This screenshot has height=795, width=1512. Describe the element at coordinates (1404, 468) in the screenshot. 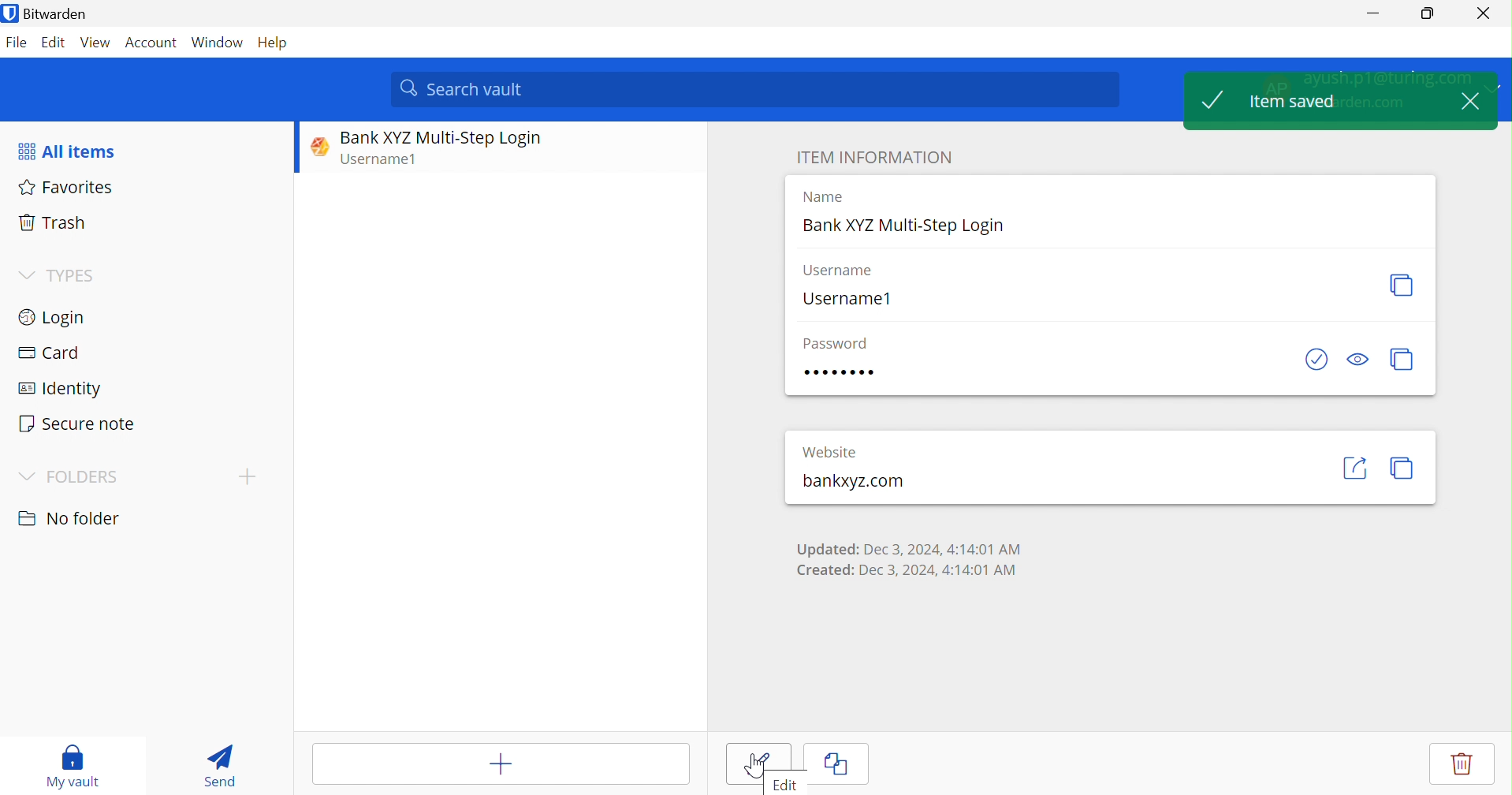

I see `copy` at that location.